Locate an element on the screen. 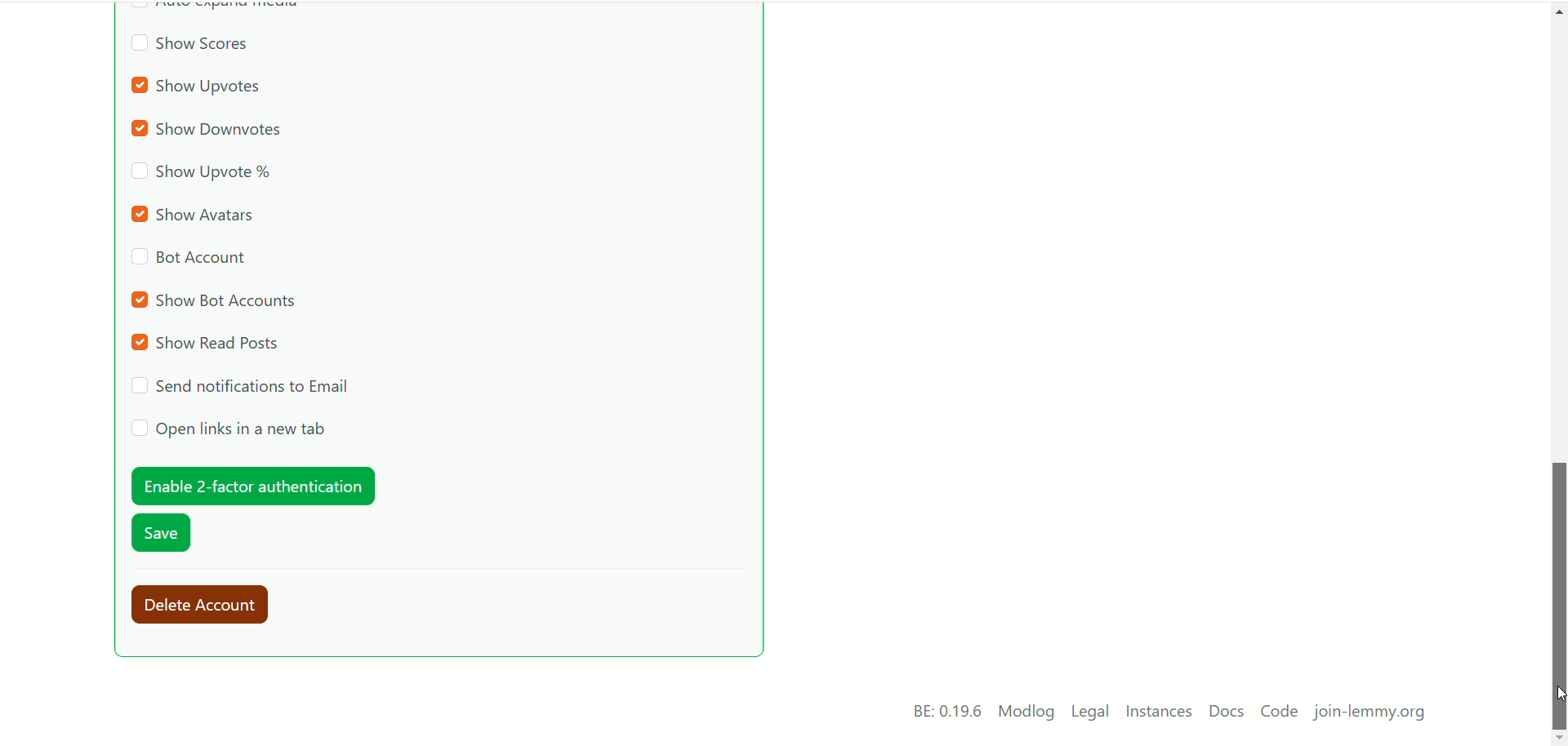 This screenshot has height=746, width=1568. show downvotes is located at coordinates (212, 131).